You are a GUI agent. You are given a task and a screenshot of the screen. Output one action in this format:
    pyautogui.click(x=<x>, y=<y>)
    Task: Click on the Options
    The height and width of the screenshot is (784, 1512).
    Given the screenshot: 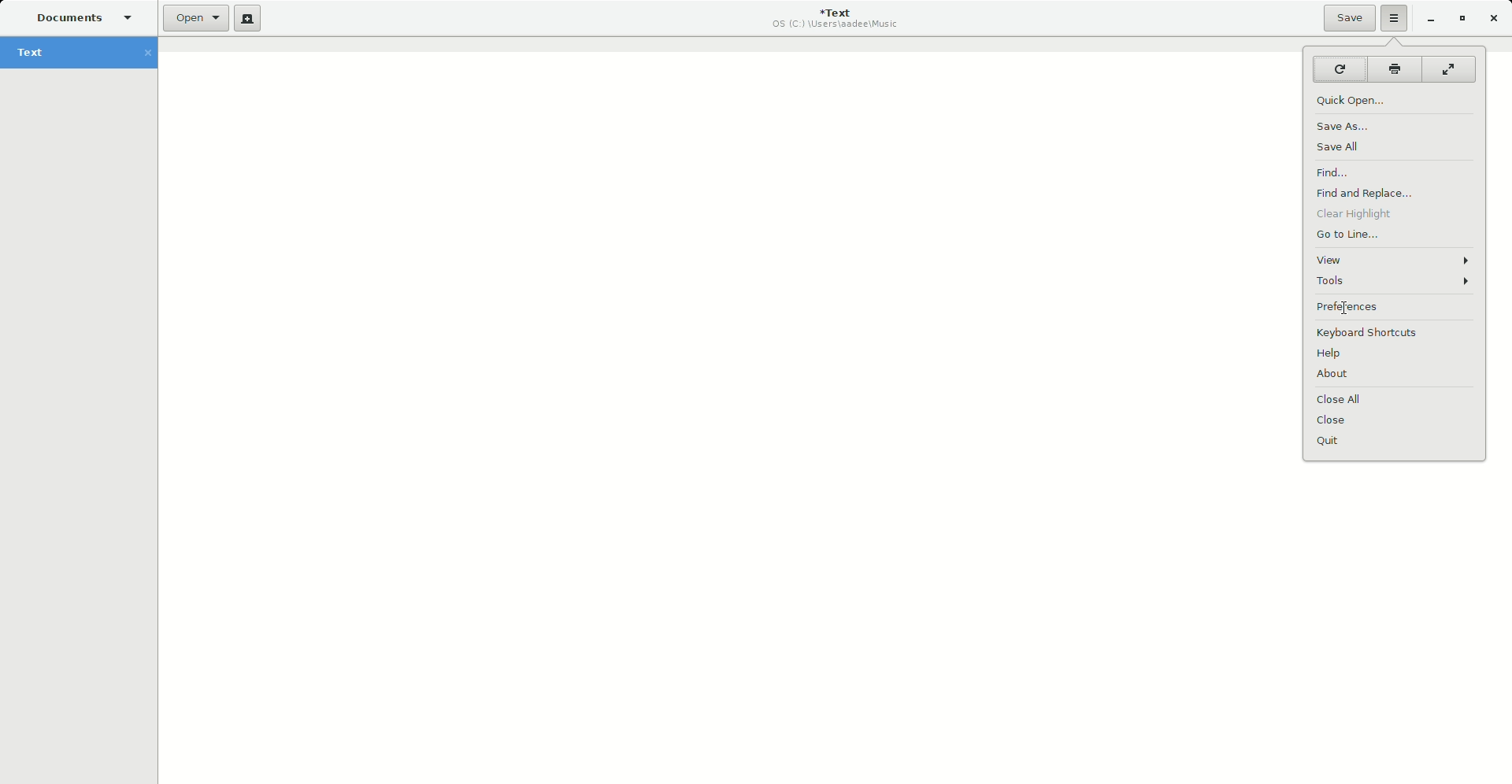 What is the action you would take?
    pyautogui.click(x=1395, y=18)
    